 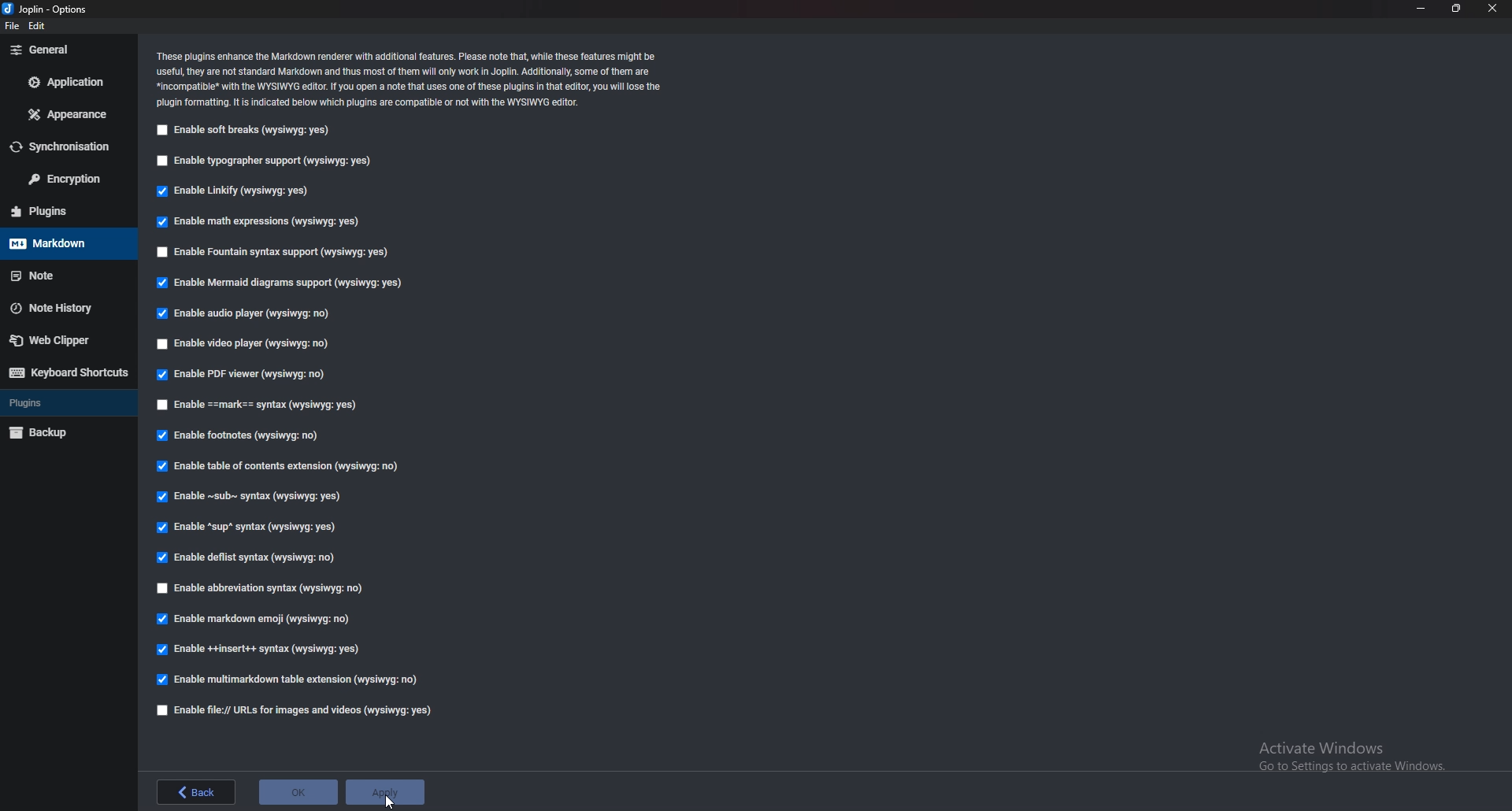 I want to click on Enable audio player (wysiqyg:no), so click(x=247, y=314).